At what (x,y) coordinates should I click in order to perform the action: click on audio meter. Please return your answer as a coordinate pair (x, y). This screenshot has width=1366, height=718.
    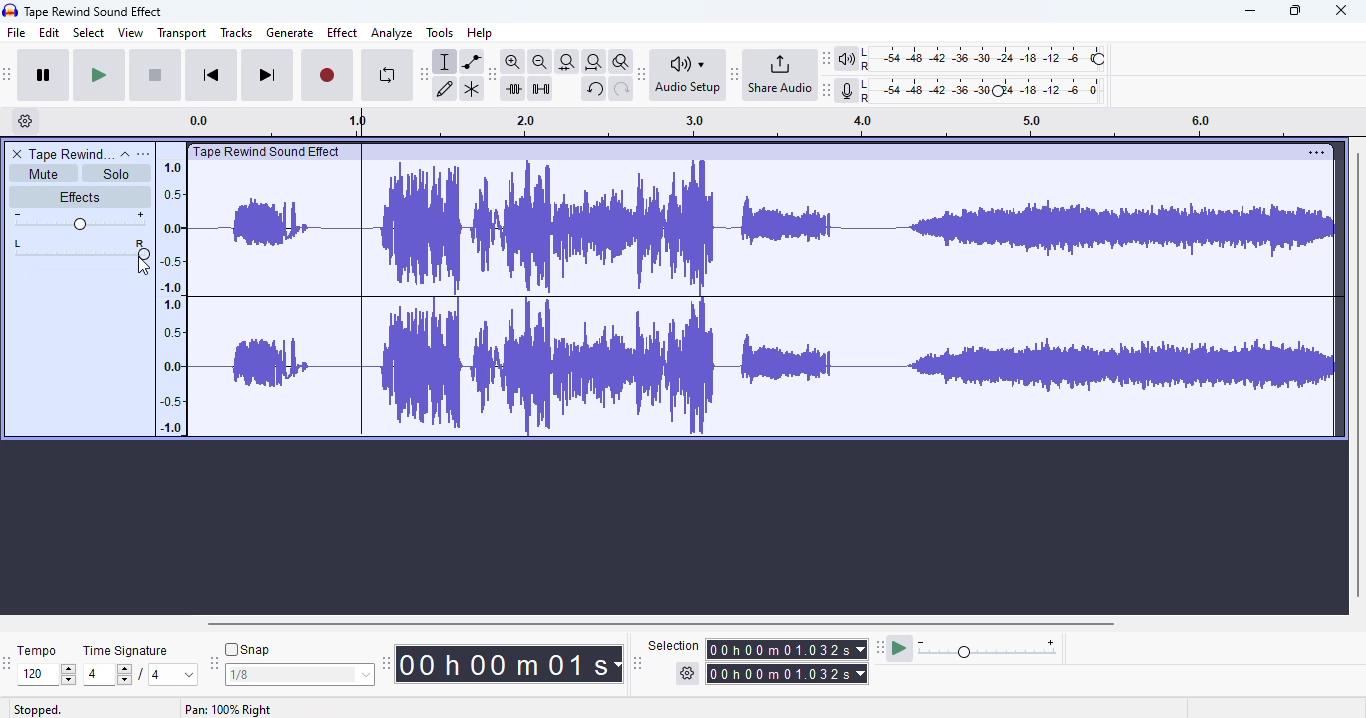
    Looking at the image, I should click on (973, 92).